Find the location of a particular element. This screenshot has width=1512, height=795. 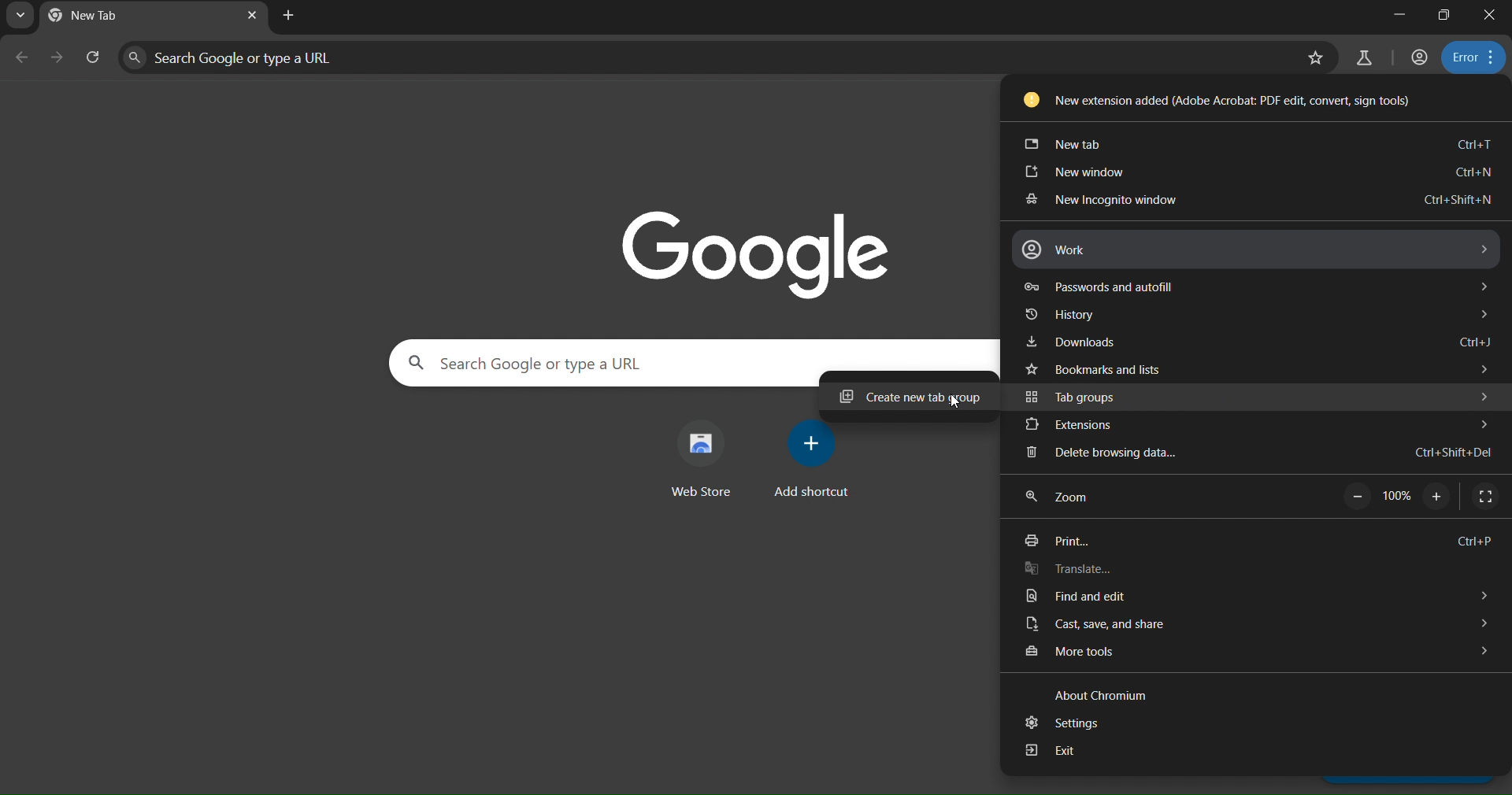

go forward one page is located at coordinates (56, 59).